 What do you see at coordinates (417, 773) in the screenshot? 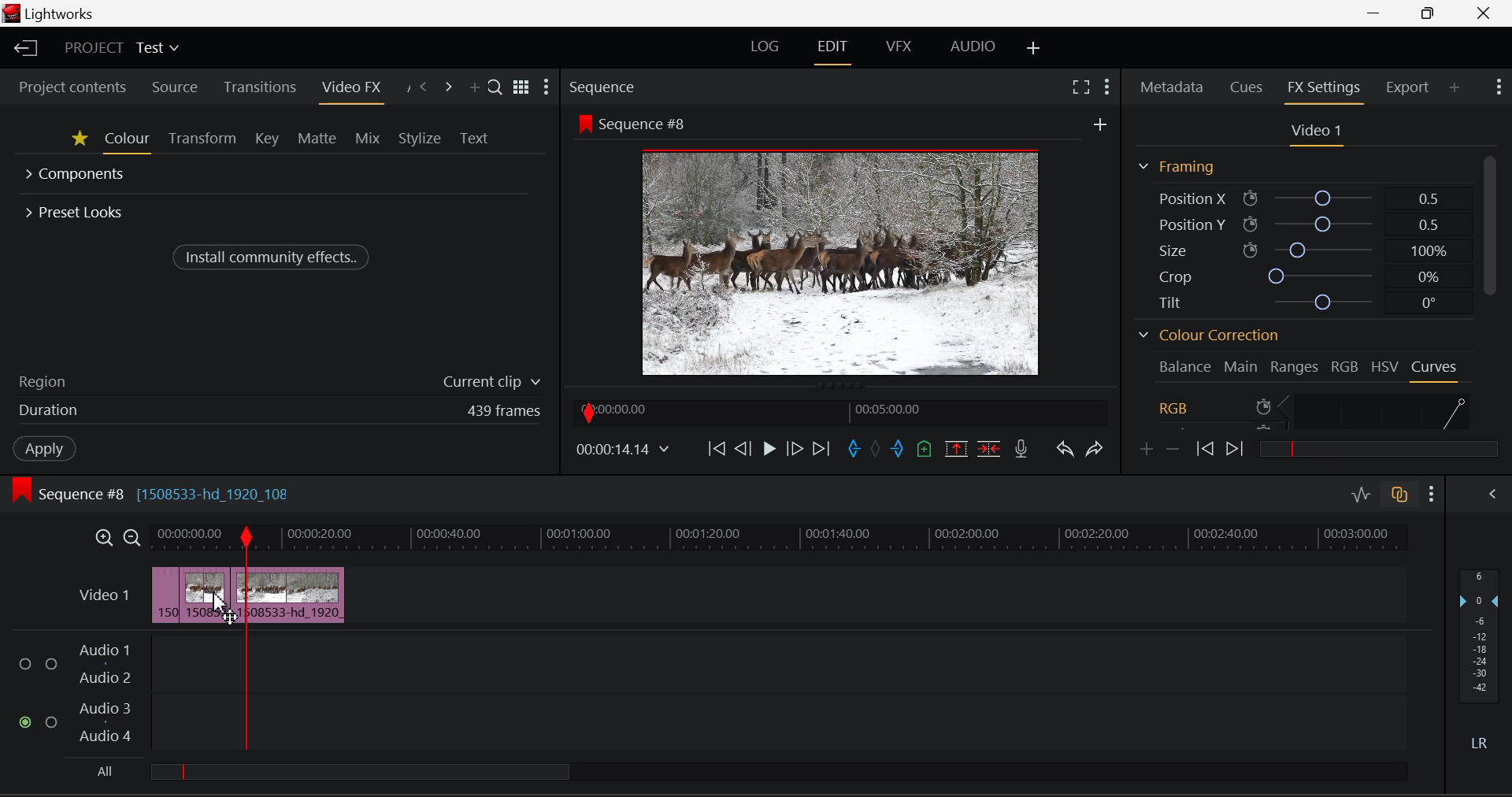
I see `all` at bounding box center [417, 773].